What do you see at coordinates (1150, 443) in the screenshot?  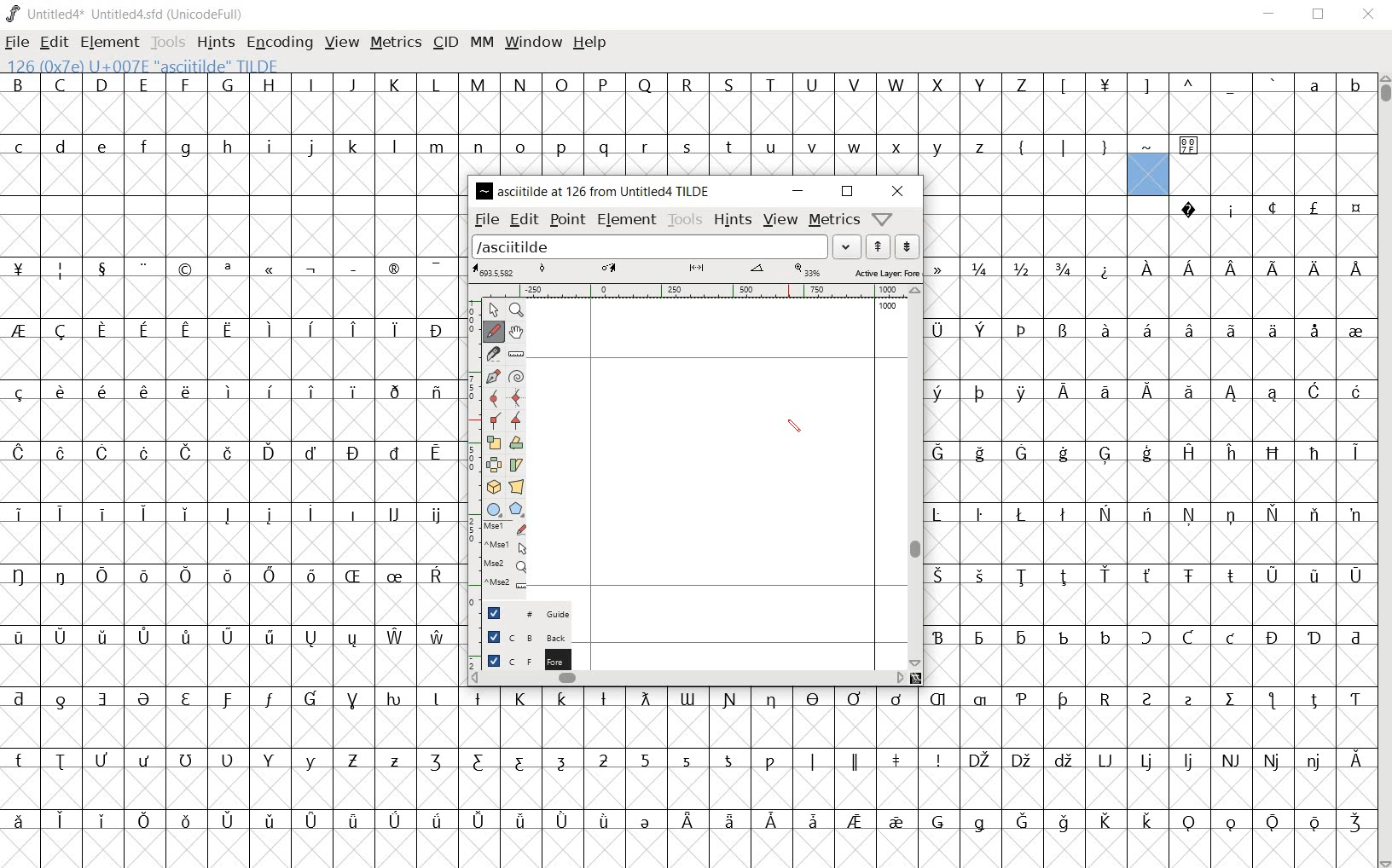 I see `glyph characters` at bounding box center [1150, 443].